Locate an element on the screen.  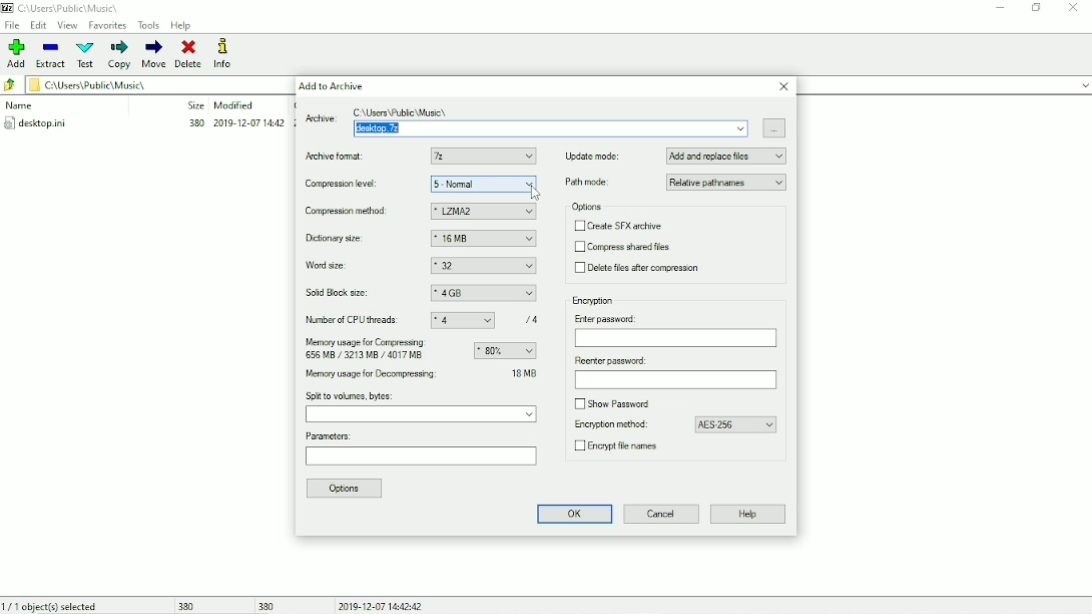
Dictionary size is located at coordinates (343, 238).